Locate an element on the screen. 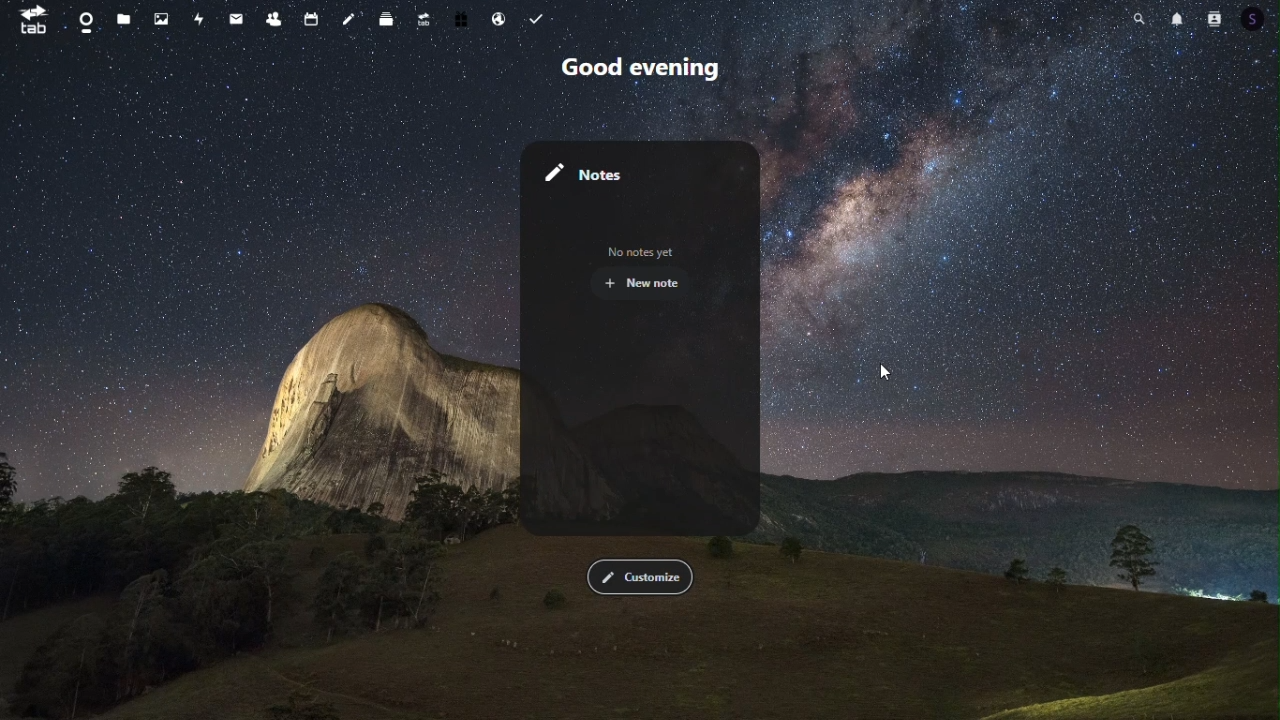 The image size is (1280, 720). free trial  is located at coordinates (463, 20).